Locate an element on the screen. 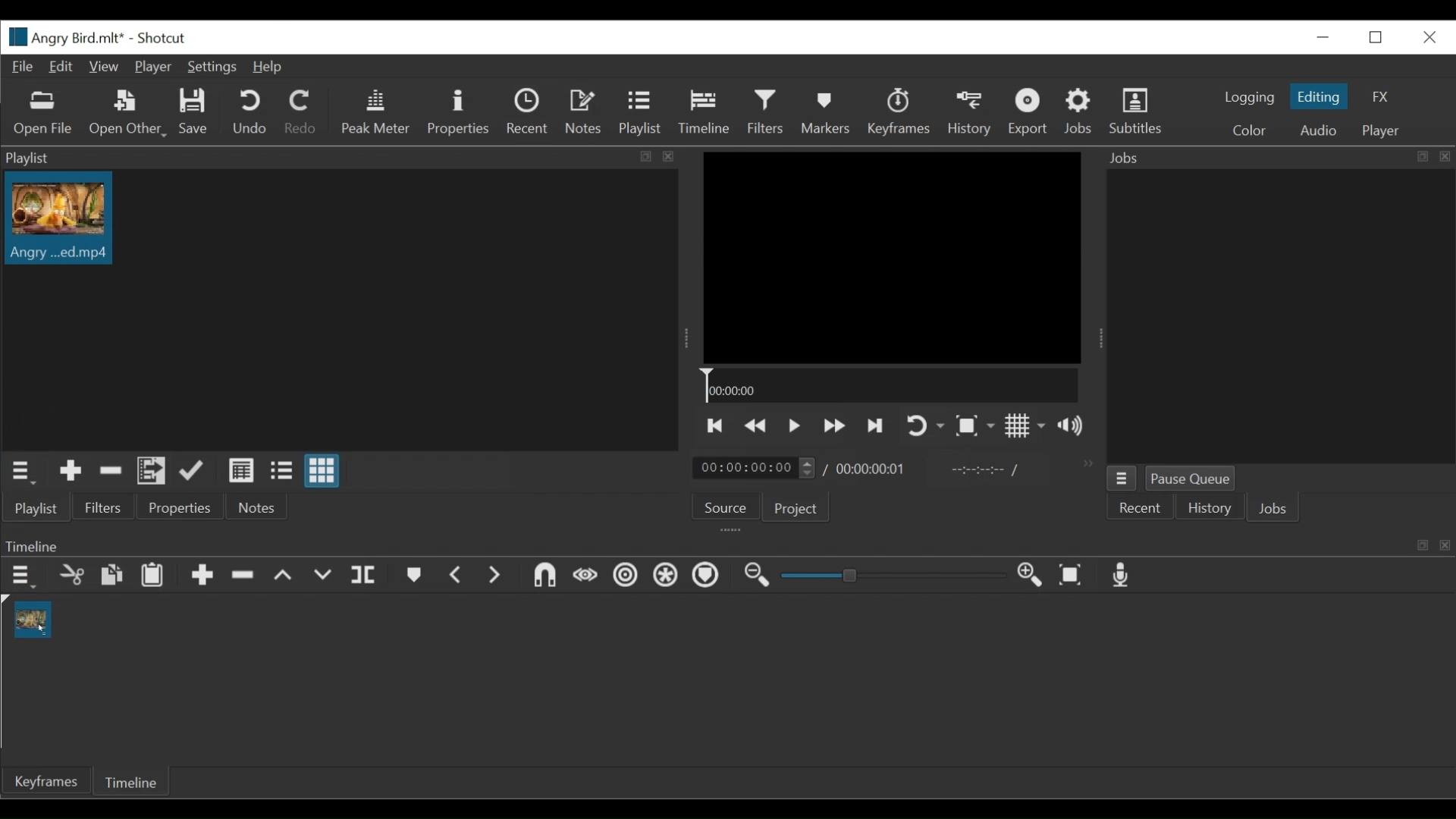 This screenshot has width=1456, height=819. Ripple all tracks is located at coordinates (667, 576).